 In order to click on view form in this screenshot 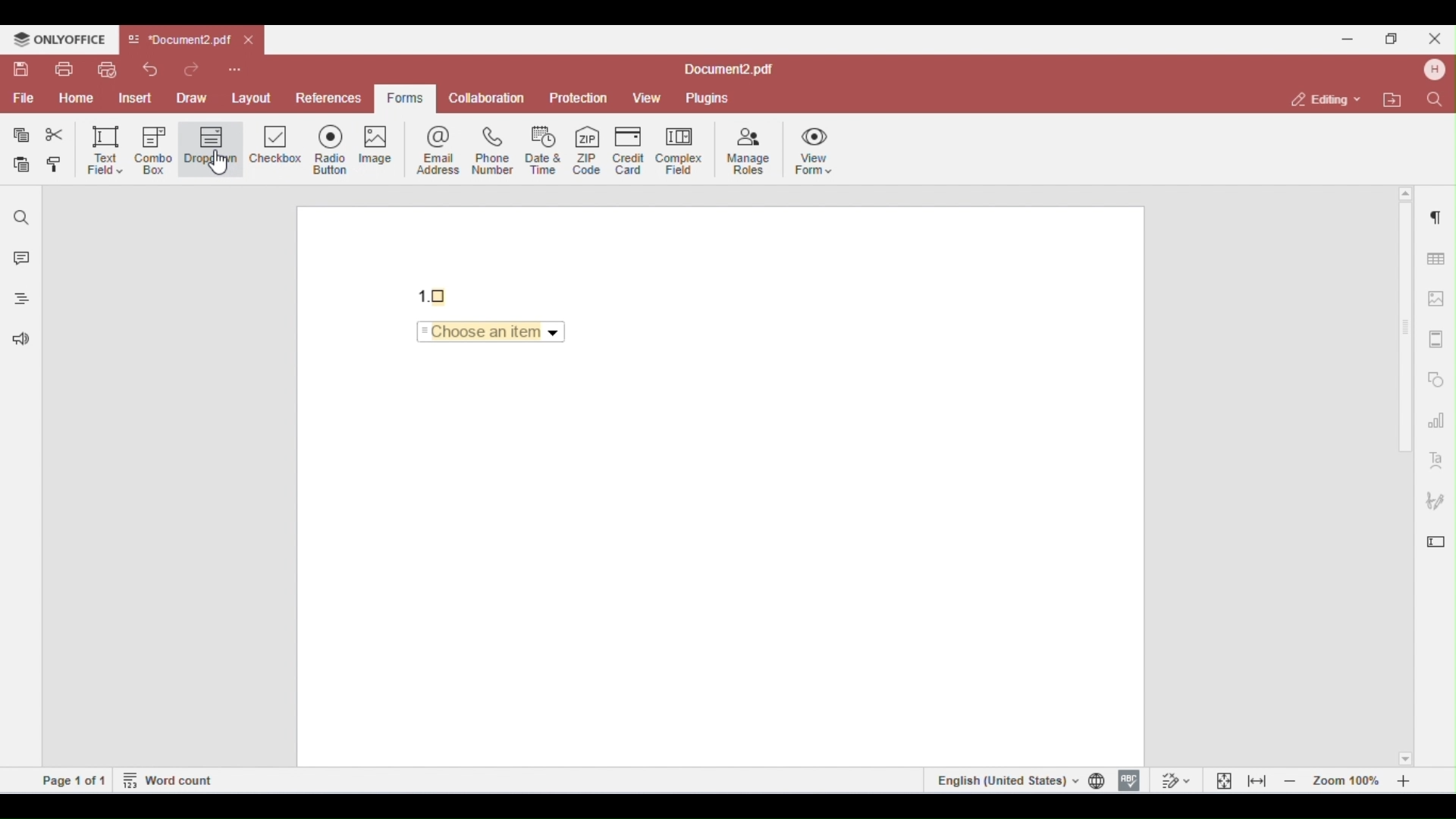, I will do `click(817, 149)`.